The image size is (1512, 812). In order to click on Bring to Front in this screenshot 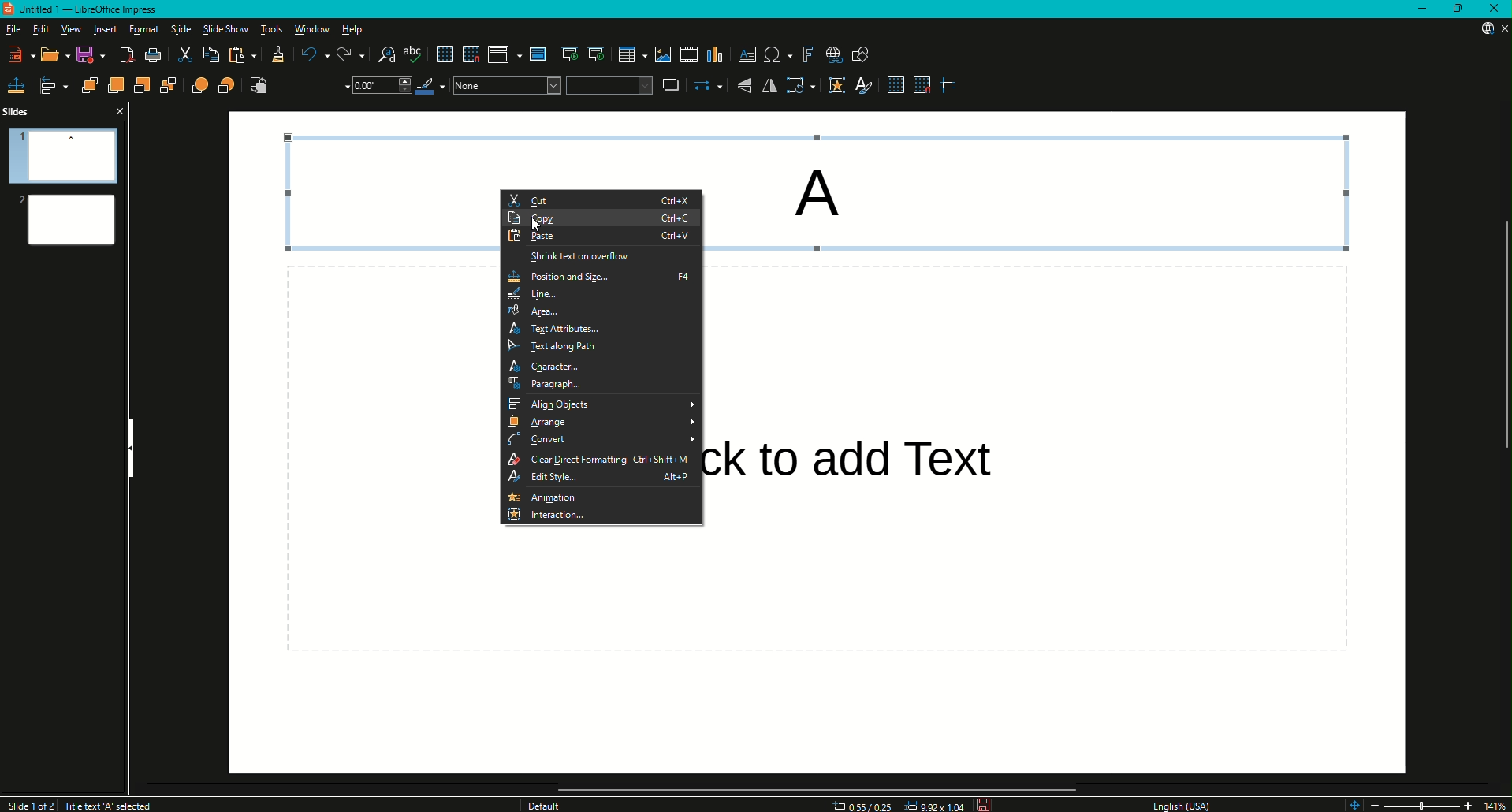, I will do `click(87, 85)`.